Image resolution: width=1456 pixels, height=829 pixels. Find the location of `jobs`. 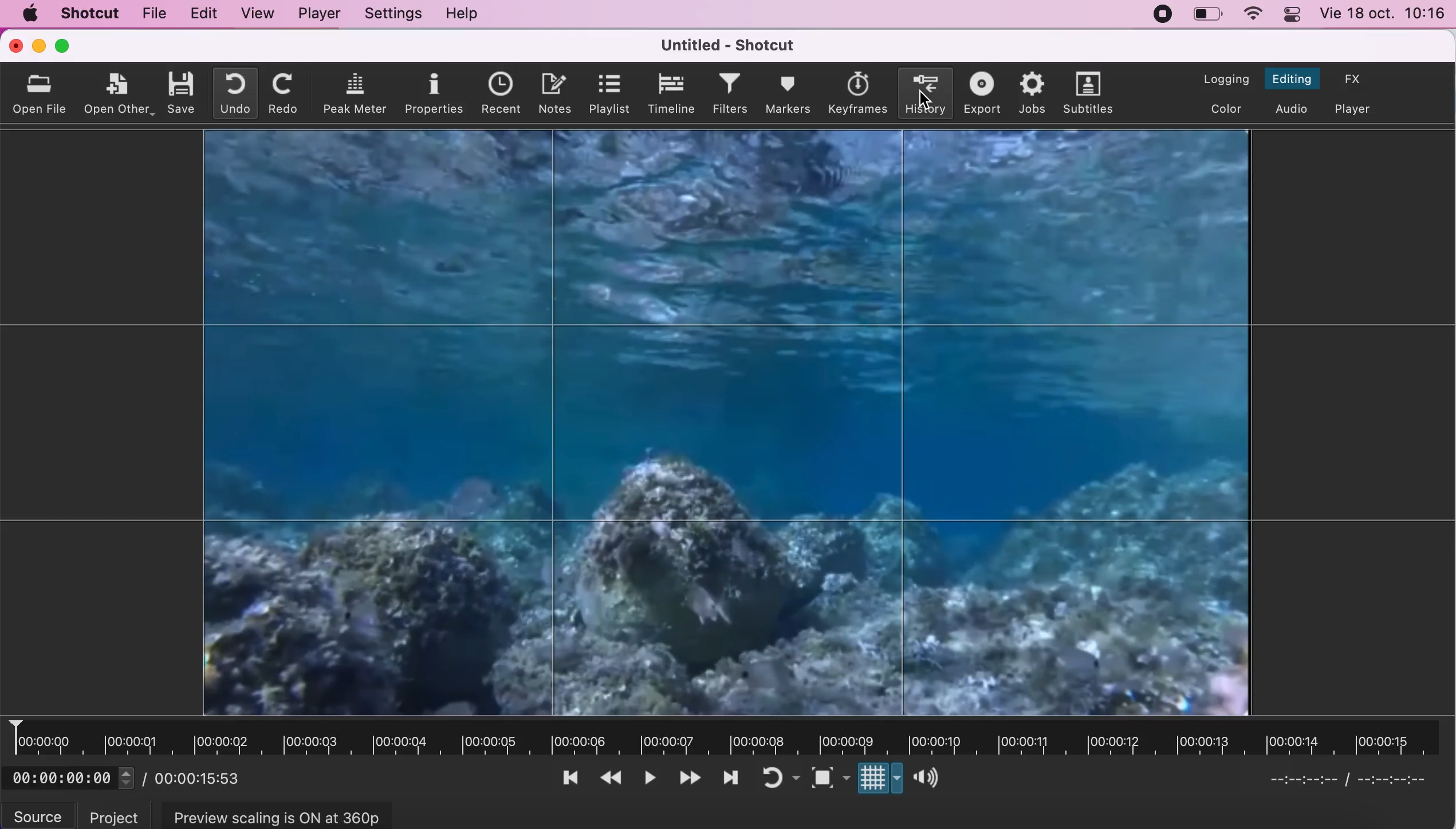

jobs is located at coordinates (1030, 91).